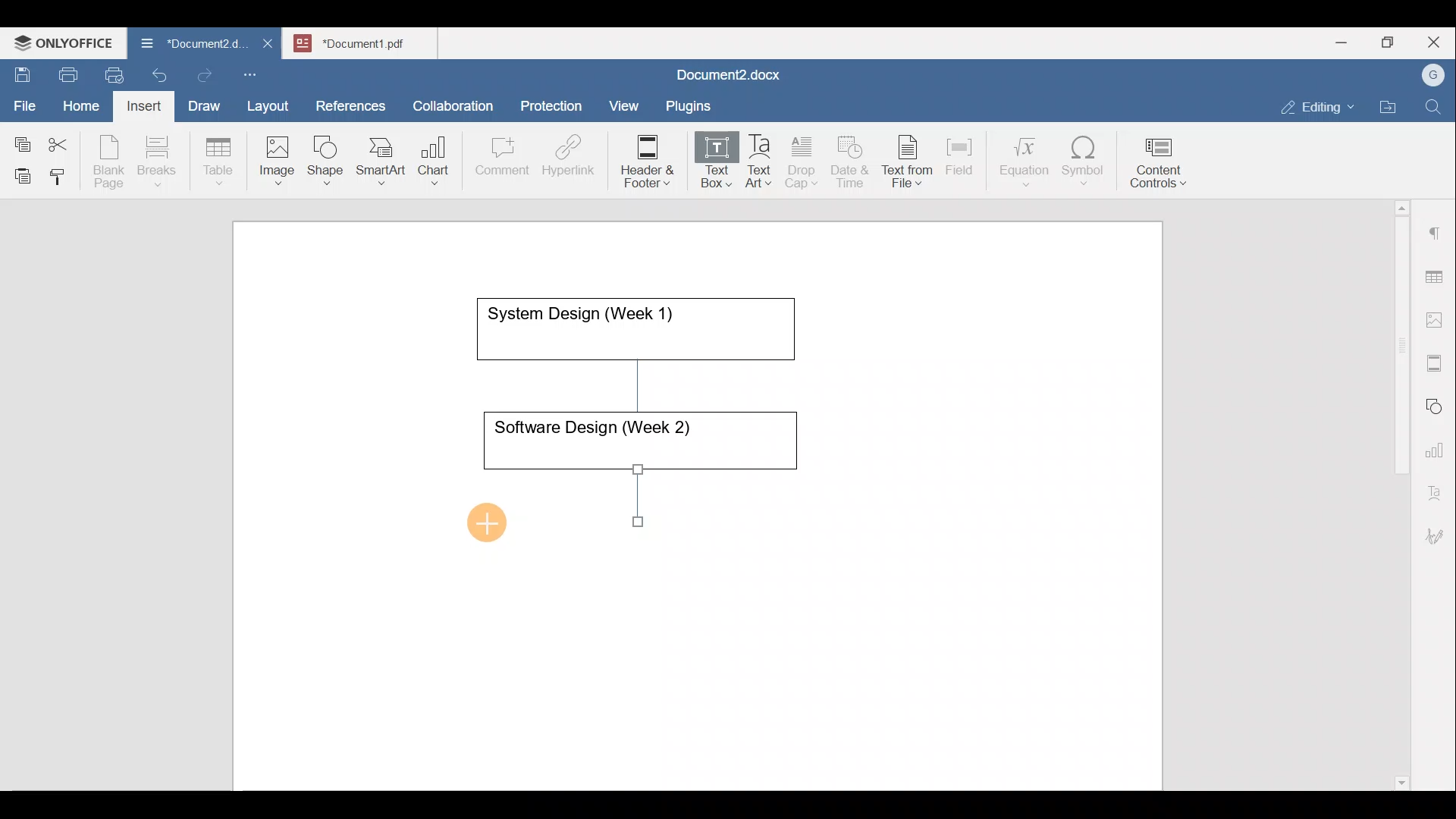  What do you see at coordinates (185, 45) in the screenshot?
I see `Document name` at bounding box center [185, 45].